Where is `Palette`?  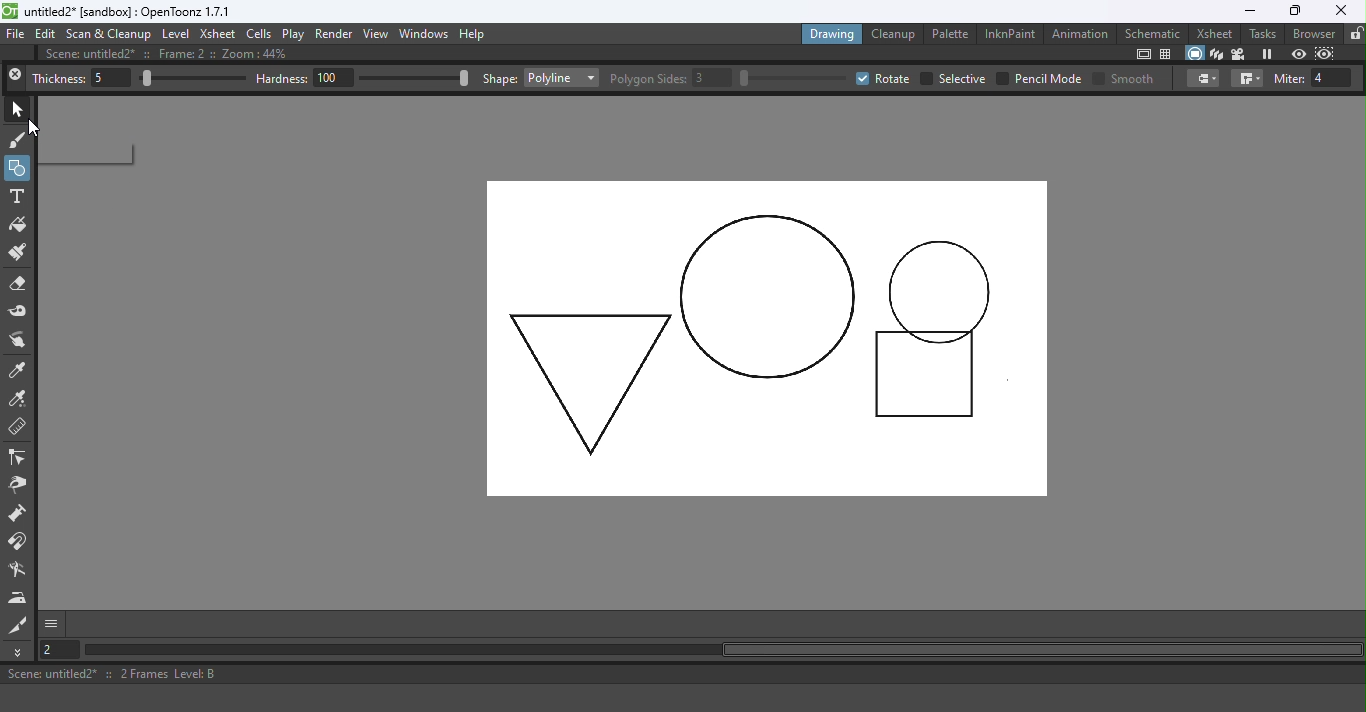 Palette is located at coordinates (949, 35).